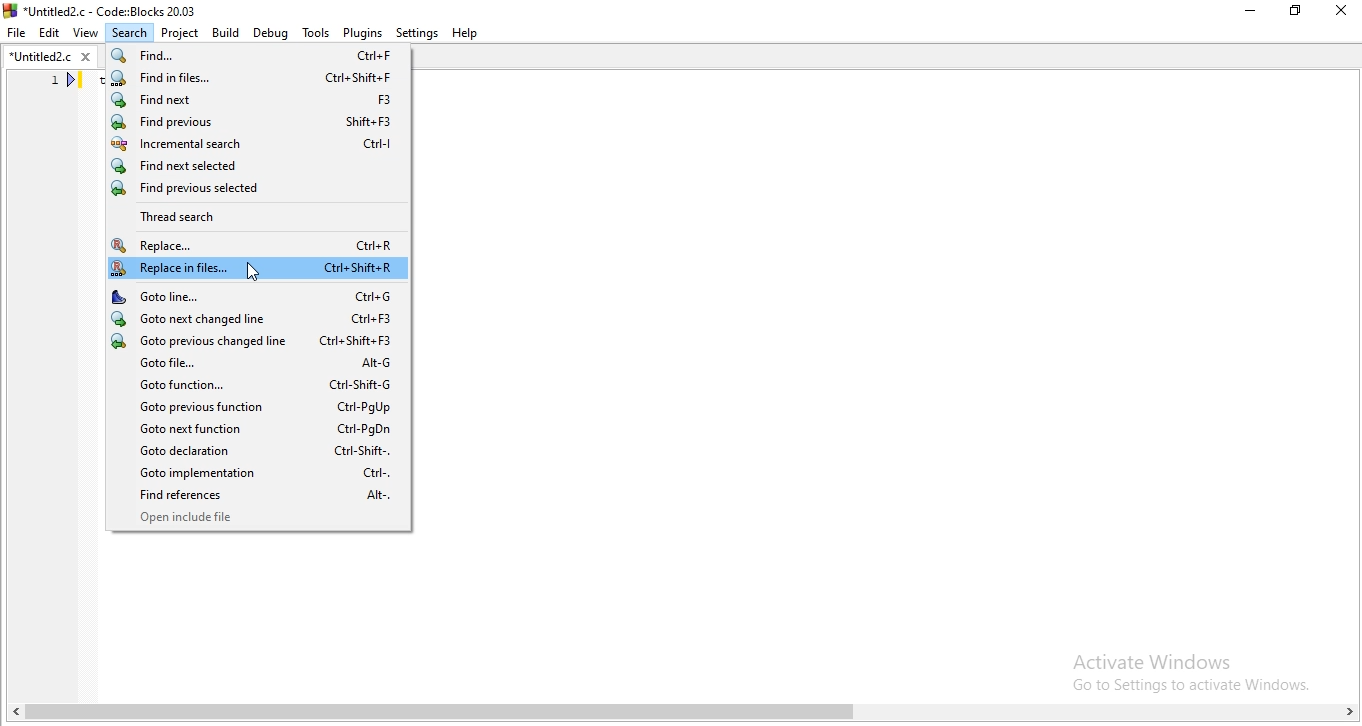 The height and width of the screenshot is (726, 1362). I want to click on Incremental search, so click(257, 145).